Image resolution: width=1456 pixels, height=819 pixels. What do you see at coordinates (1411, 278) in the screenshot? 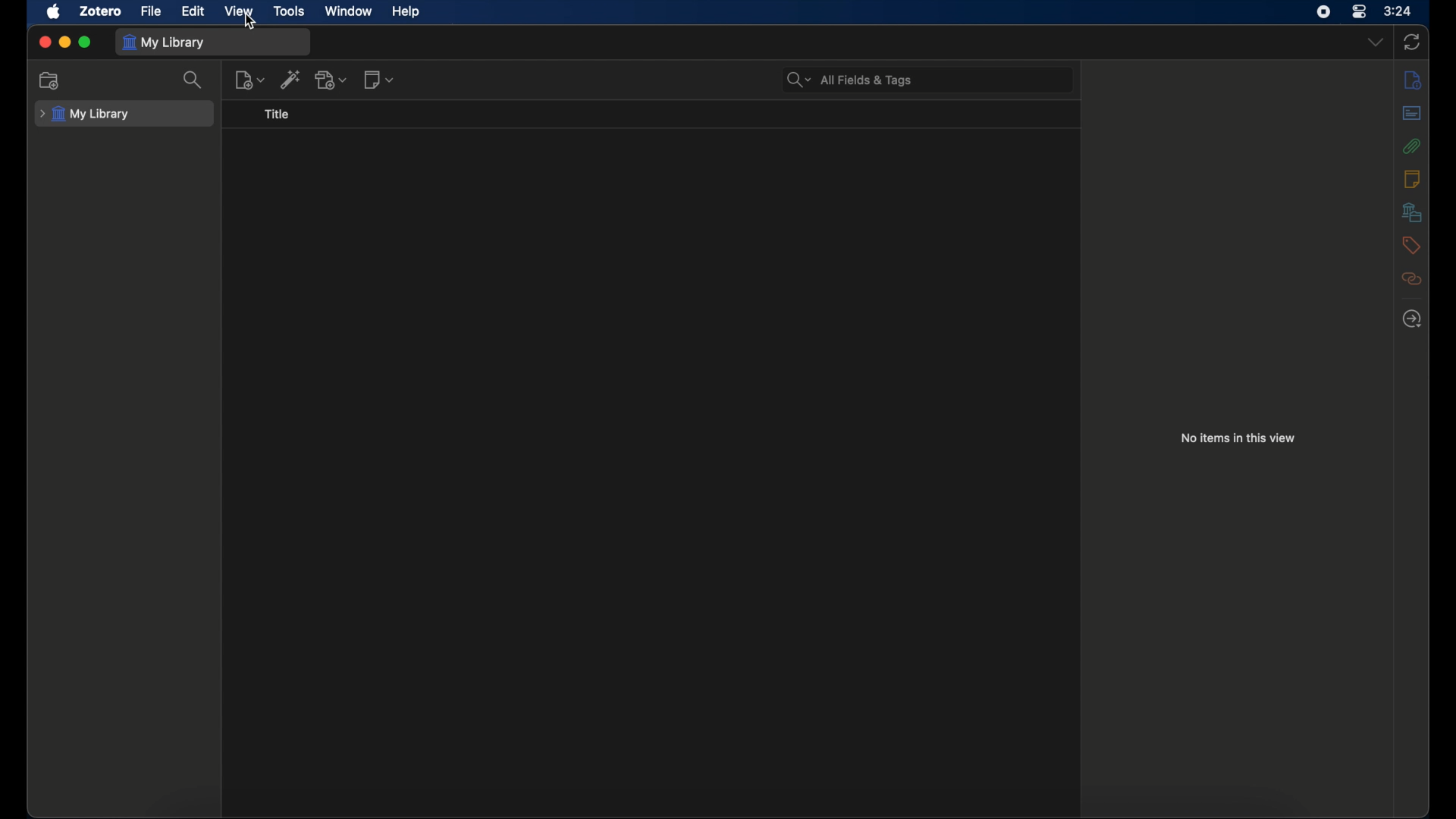
I see `related` at bounding box center [1411, 278].